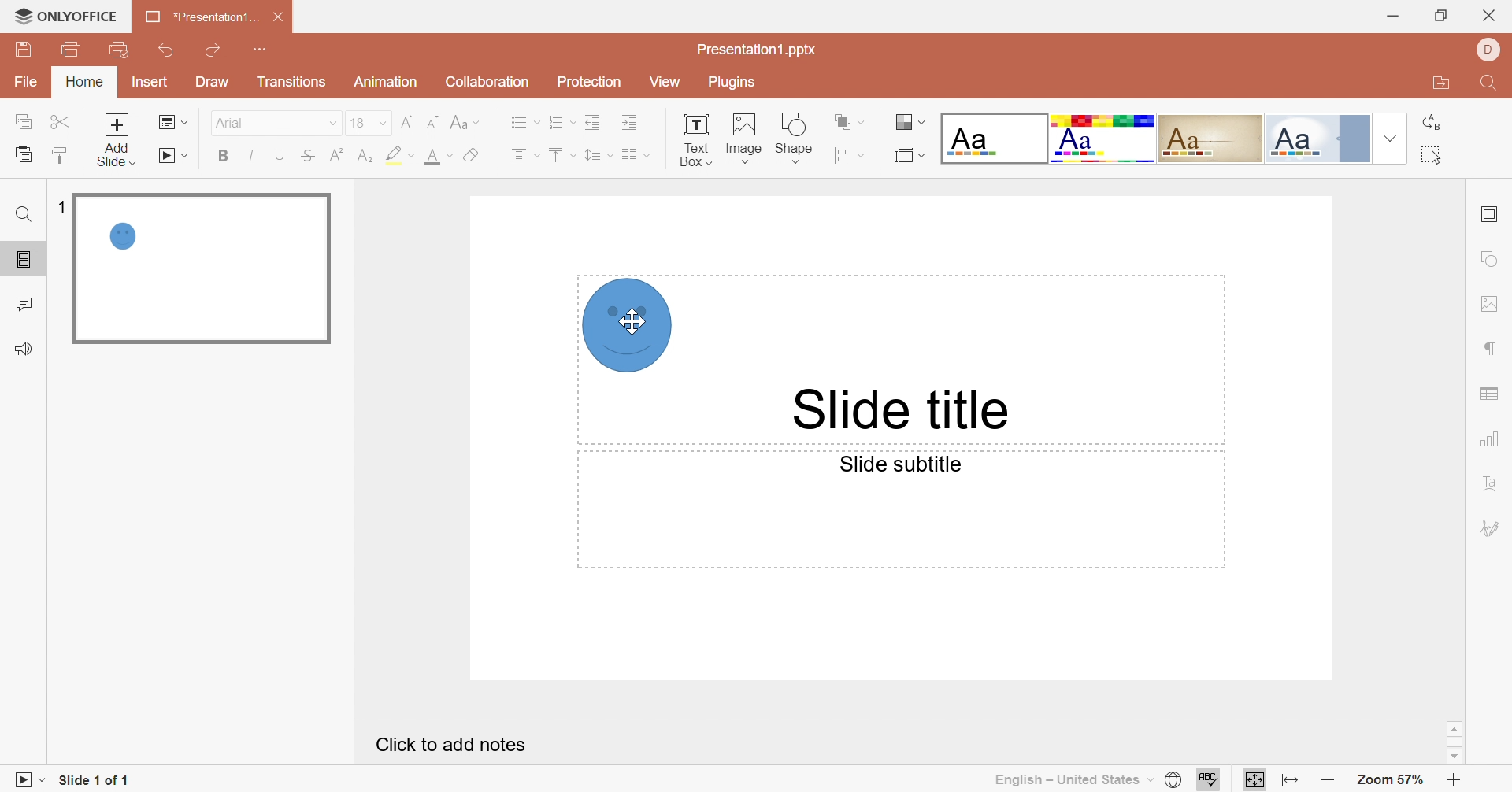 Image resolution: width=1512 pixels, height=792 pixels. I want to click on Official, so click(1316, 139).